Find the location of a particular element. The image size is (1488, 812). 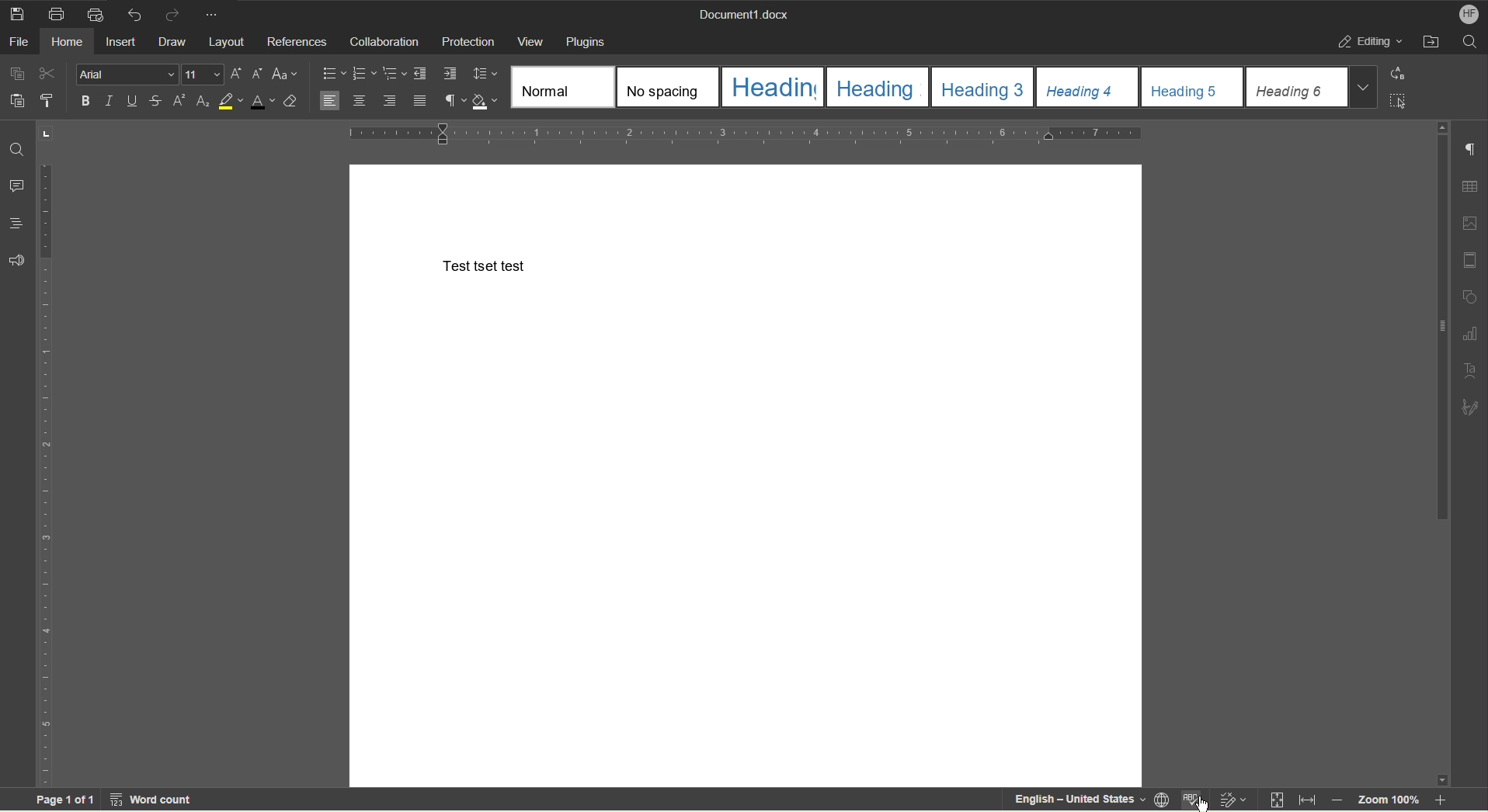

Graph is located at coordinates (1469, 335).